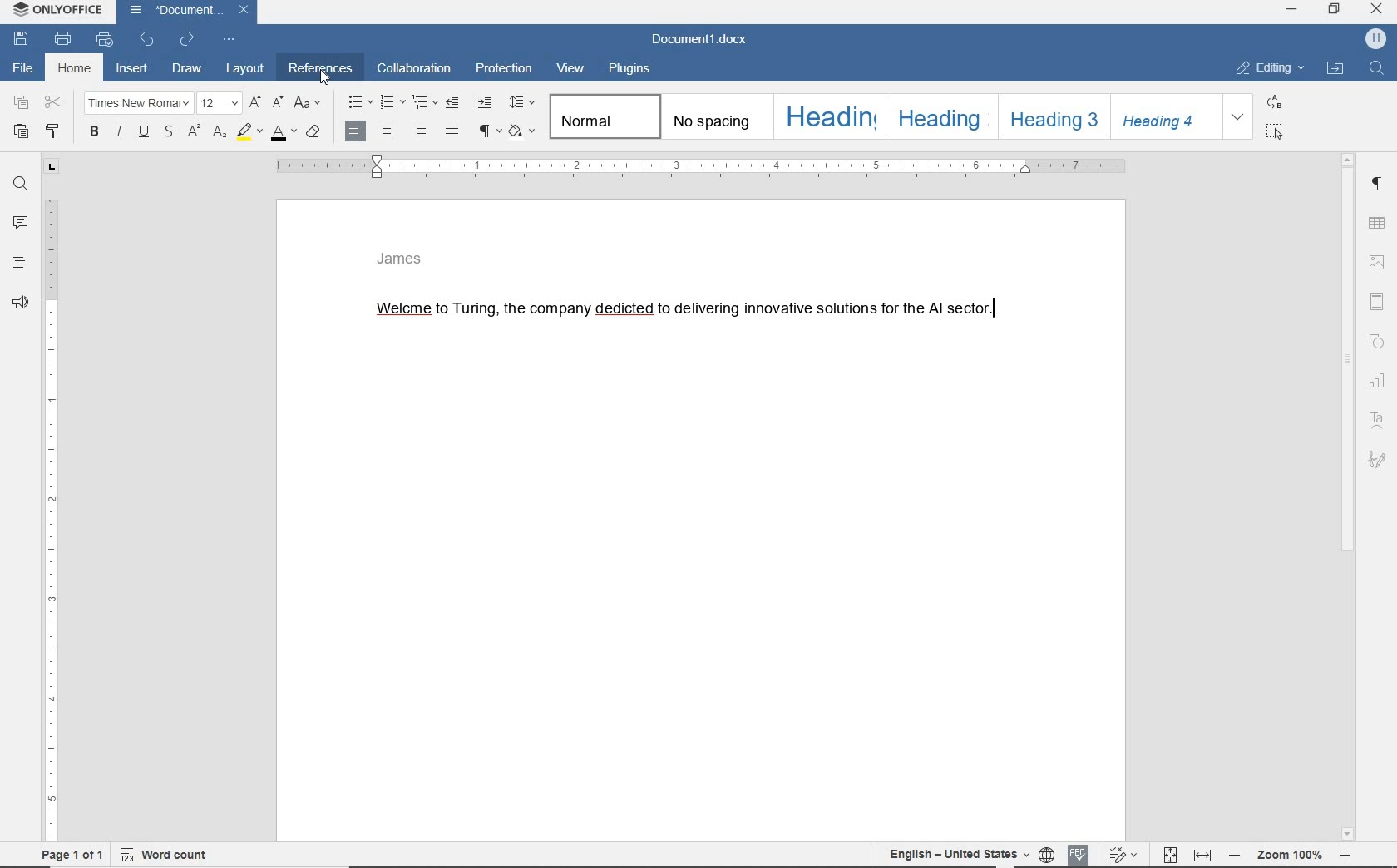 The width and height of the screenshot is (1397, 868). Describe the element at coordinates (220, 103) in the screenshot. I see `font size` at that location.